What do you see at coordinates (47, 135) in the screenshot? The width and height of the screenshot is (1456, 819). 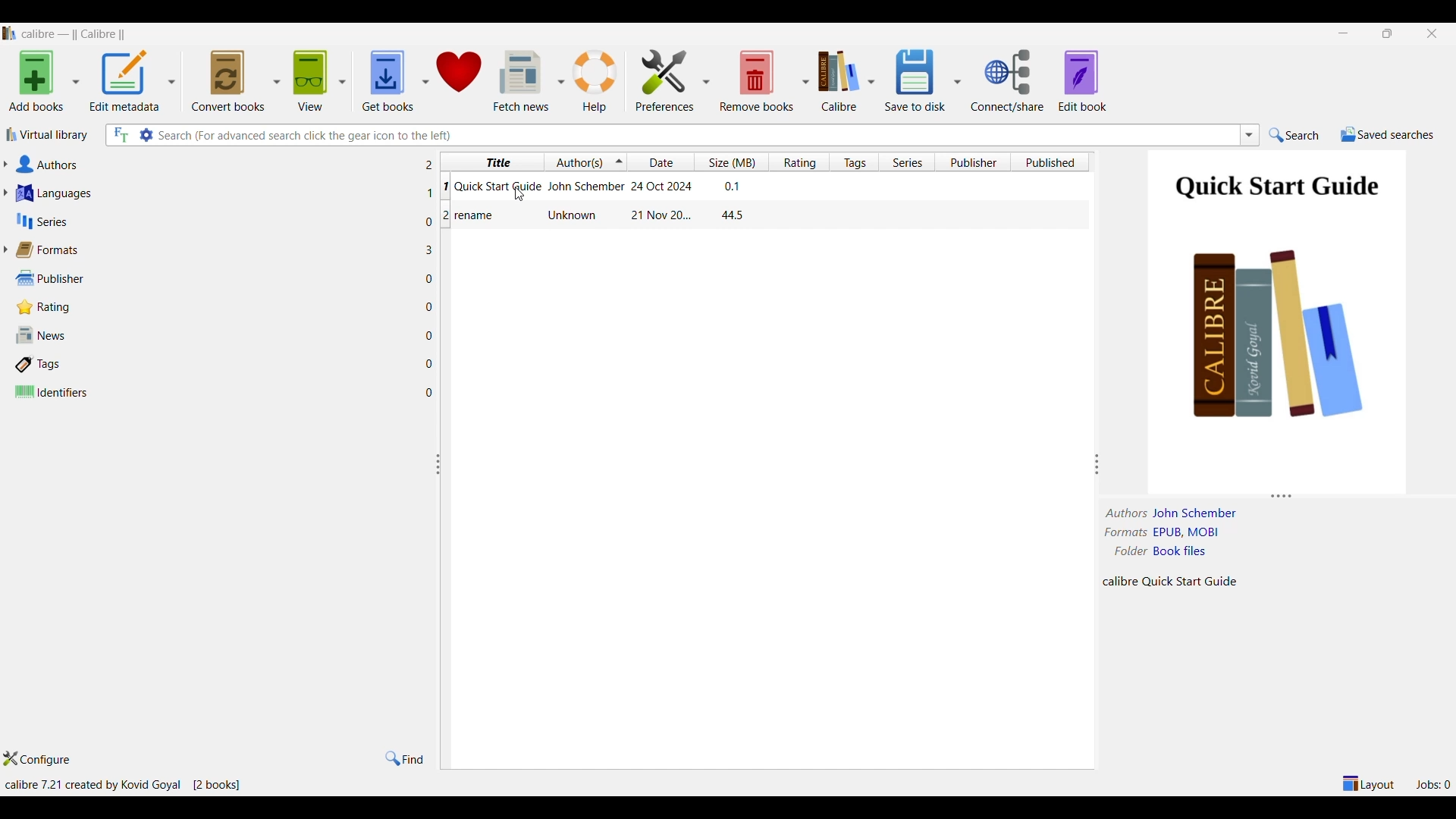 I see `Virtual library` at bounding box center [47, 135].